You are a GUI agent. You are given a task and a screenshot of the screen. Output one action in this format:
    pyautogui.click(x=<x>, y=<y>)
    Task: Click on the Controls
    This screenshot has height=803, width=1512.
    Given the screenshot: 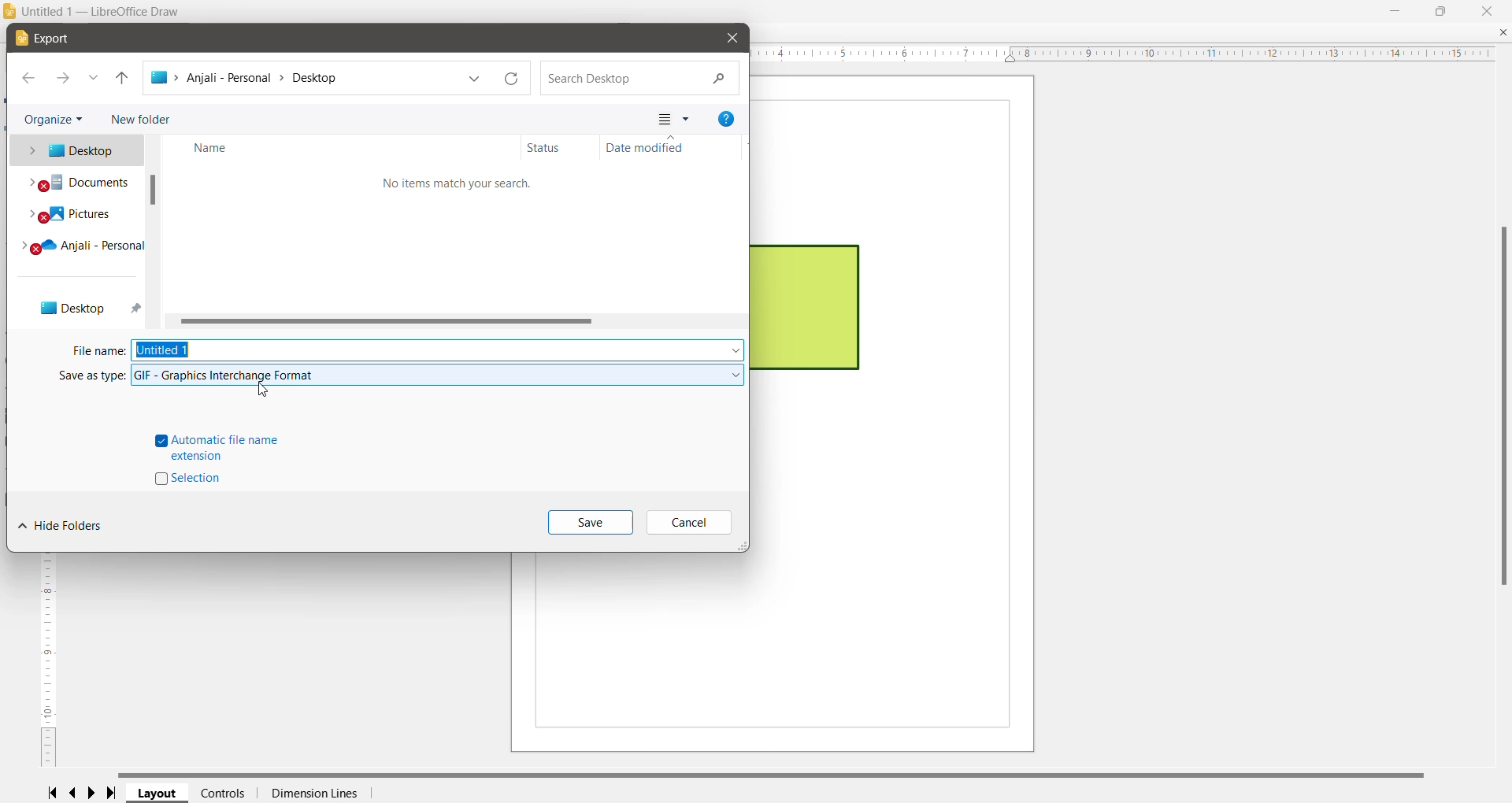 What is the action you would take?
    pyautogui.click(x=223, y=793)
    